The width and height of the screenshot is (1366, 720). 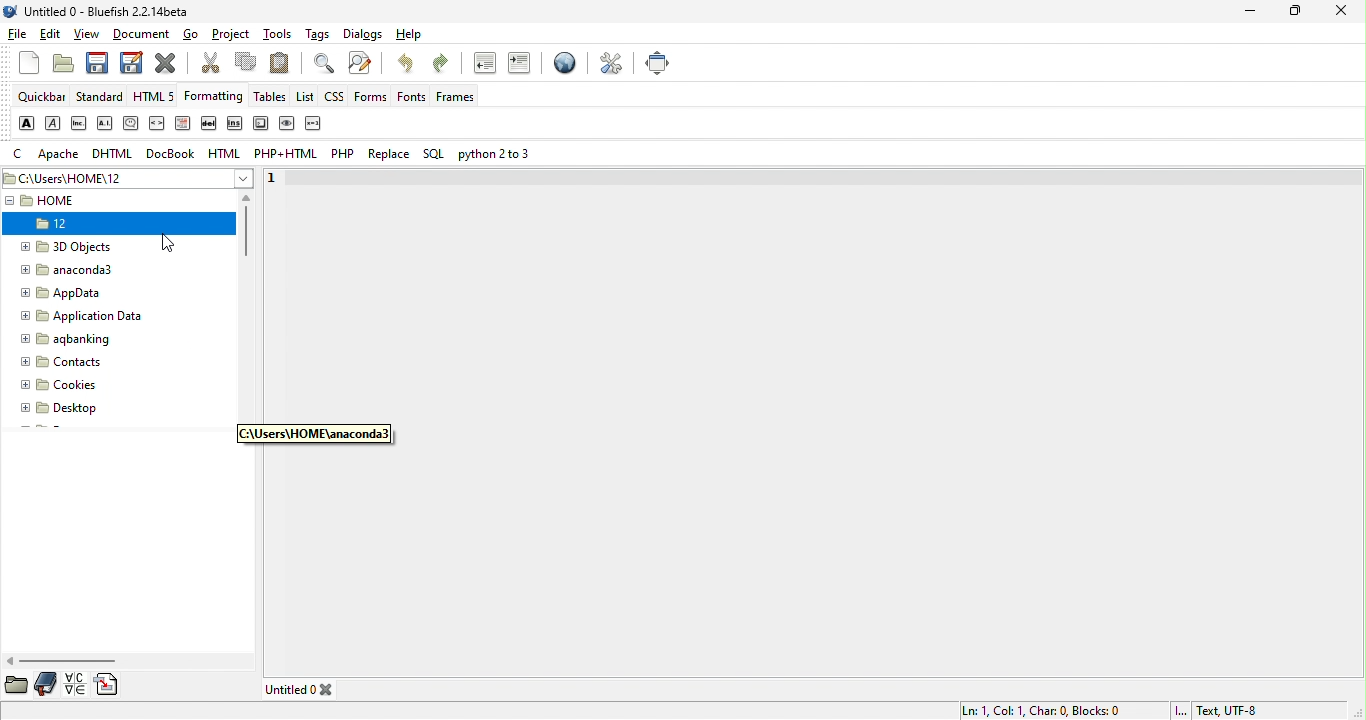 What do you see at coordinates (105, 125) in the screenshot?
I see `acronym` at bounding box center [105, 125].